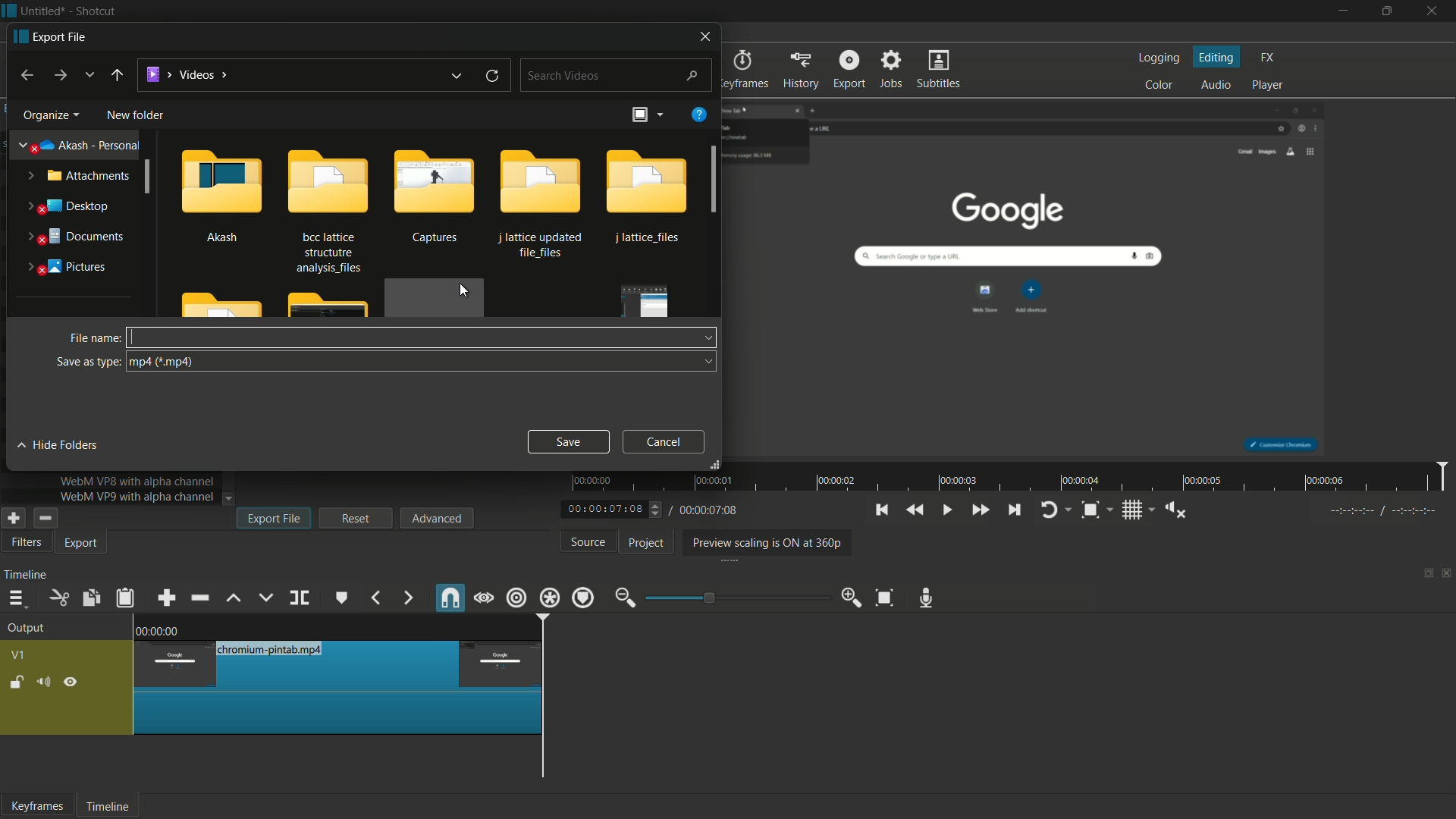 This screenshot has height=819, width=1456. What do you see at coordinates (707, 510) in the screenshot?
I see `total time` at bounding box center [707, 510].